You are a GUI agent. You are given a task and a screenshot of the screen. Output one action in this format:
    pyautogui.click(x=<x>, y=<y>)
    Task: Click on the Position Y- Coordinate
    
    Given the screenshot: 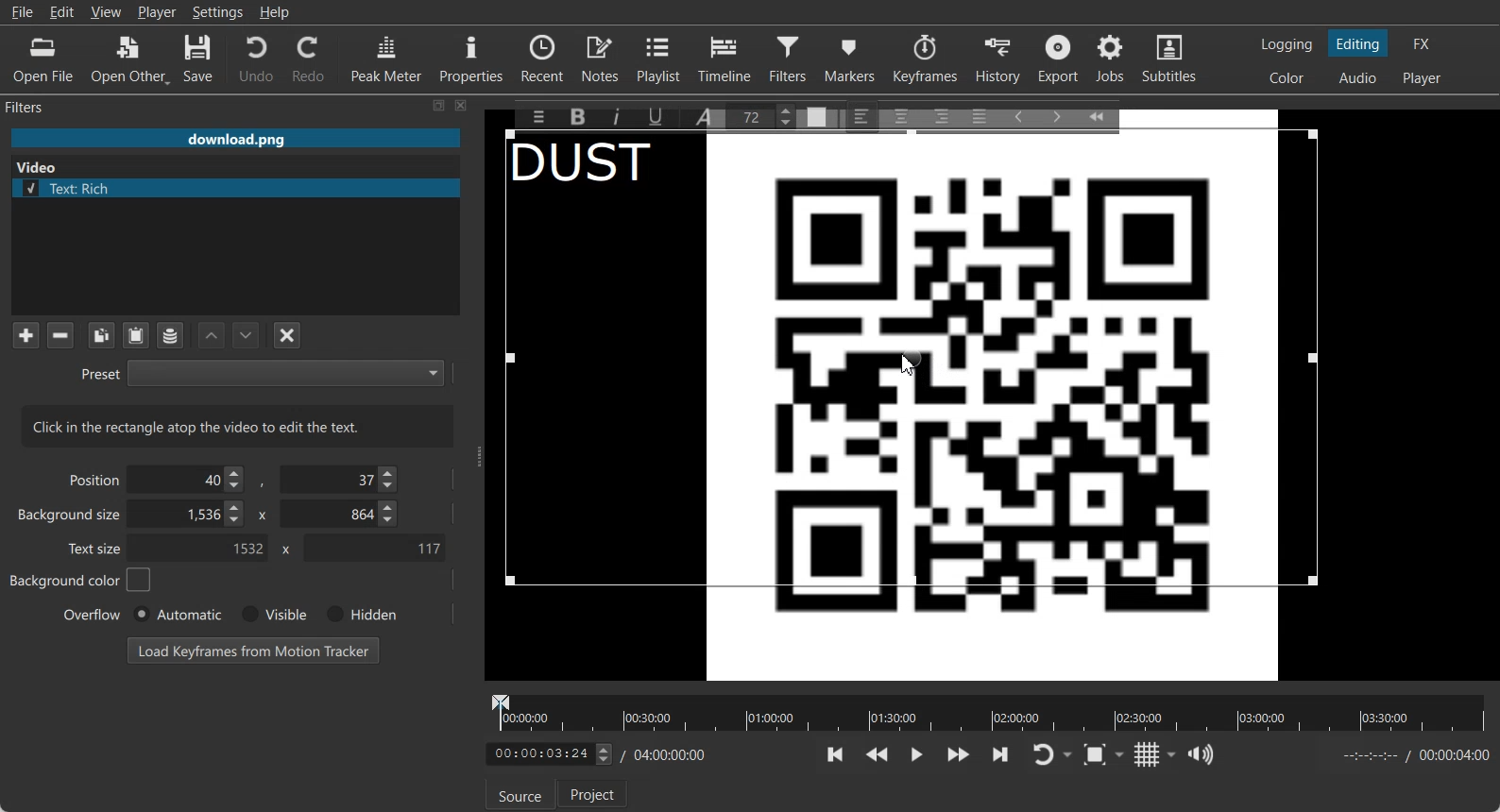 What is the action you would take?
    pyautogui.click(x=341, y=479)
    